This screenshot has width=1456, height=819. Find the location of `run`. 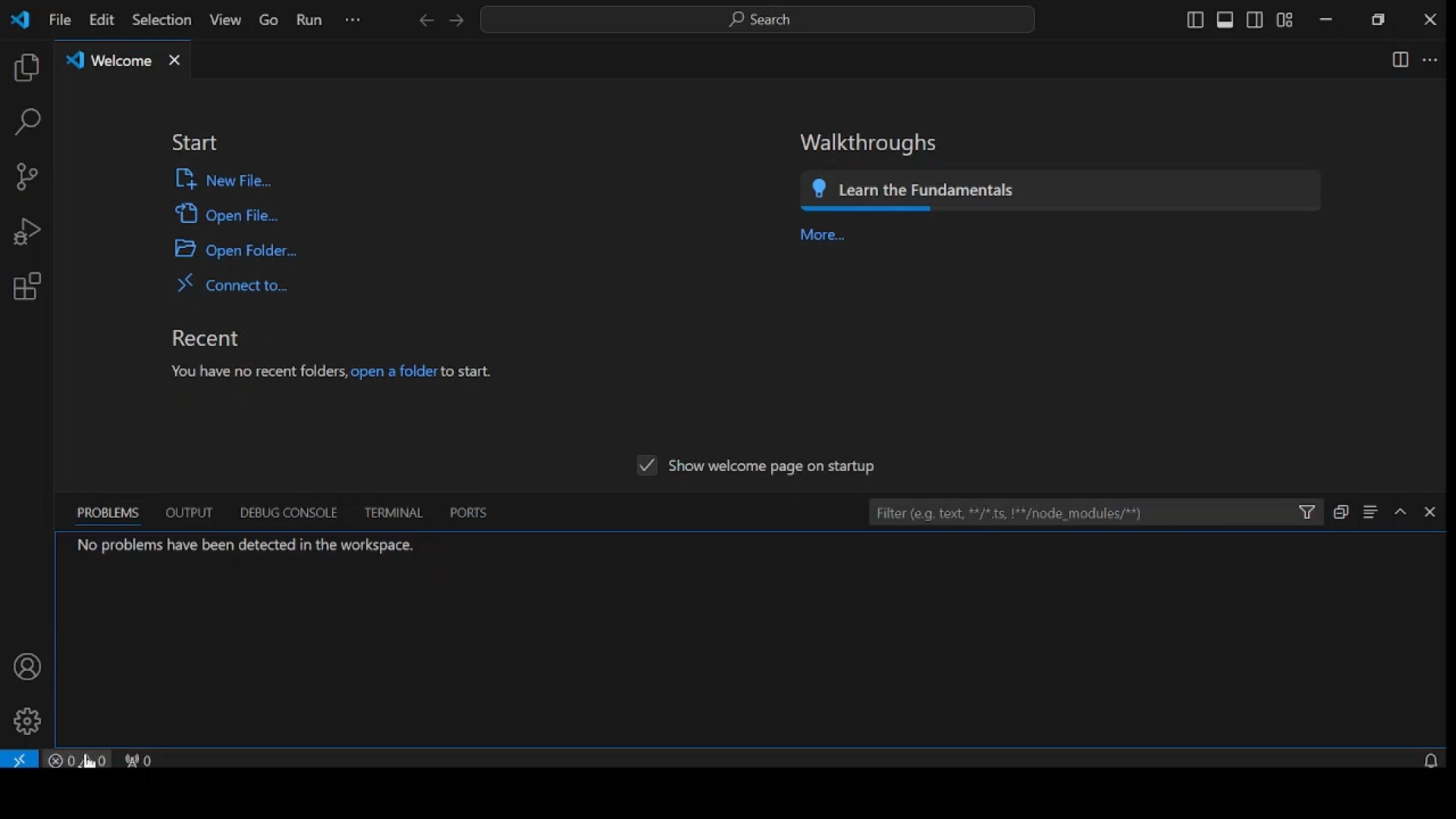

run is located at coordinates (309, 20).